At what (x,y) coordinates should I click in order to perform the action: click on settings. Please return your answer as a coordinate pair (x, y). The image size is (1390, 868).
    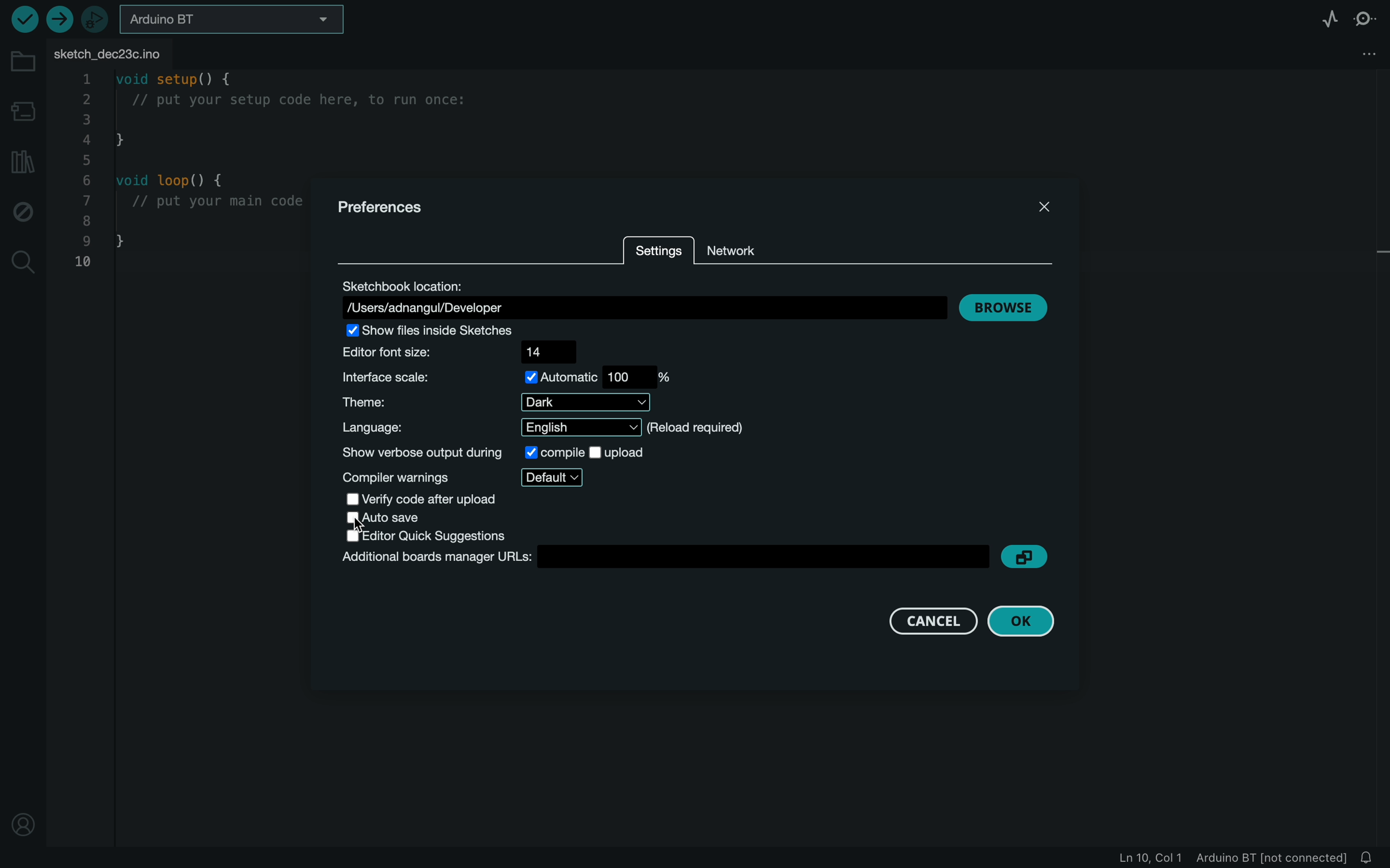
    Looking at the image, I should click on (657, 253).